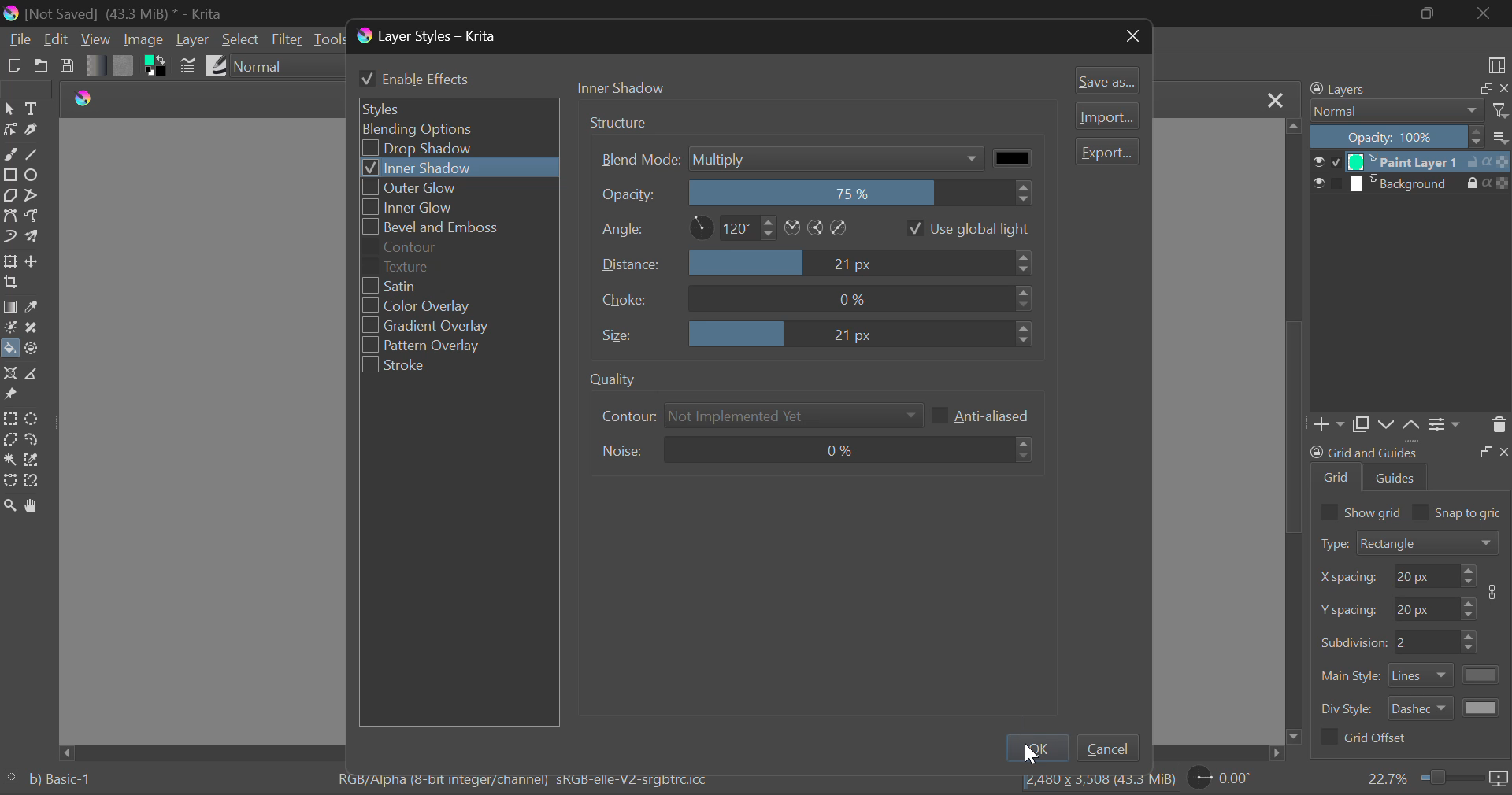  What do you see at coordinates (9, 441) in the screenshot?
I see `Polygon Selection` at bounding box center [9, 441].